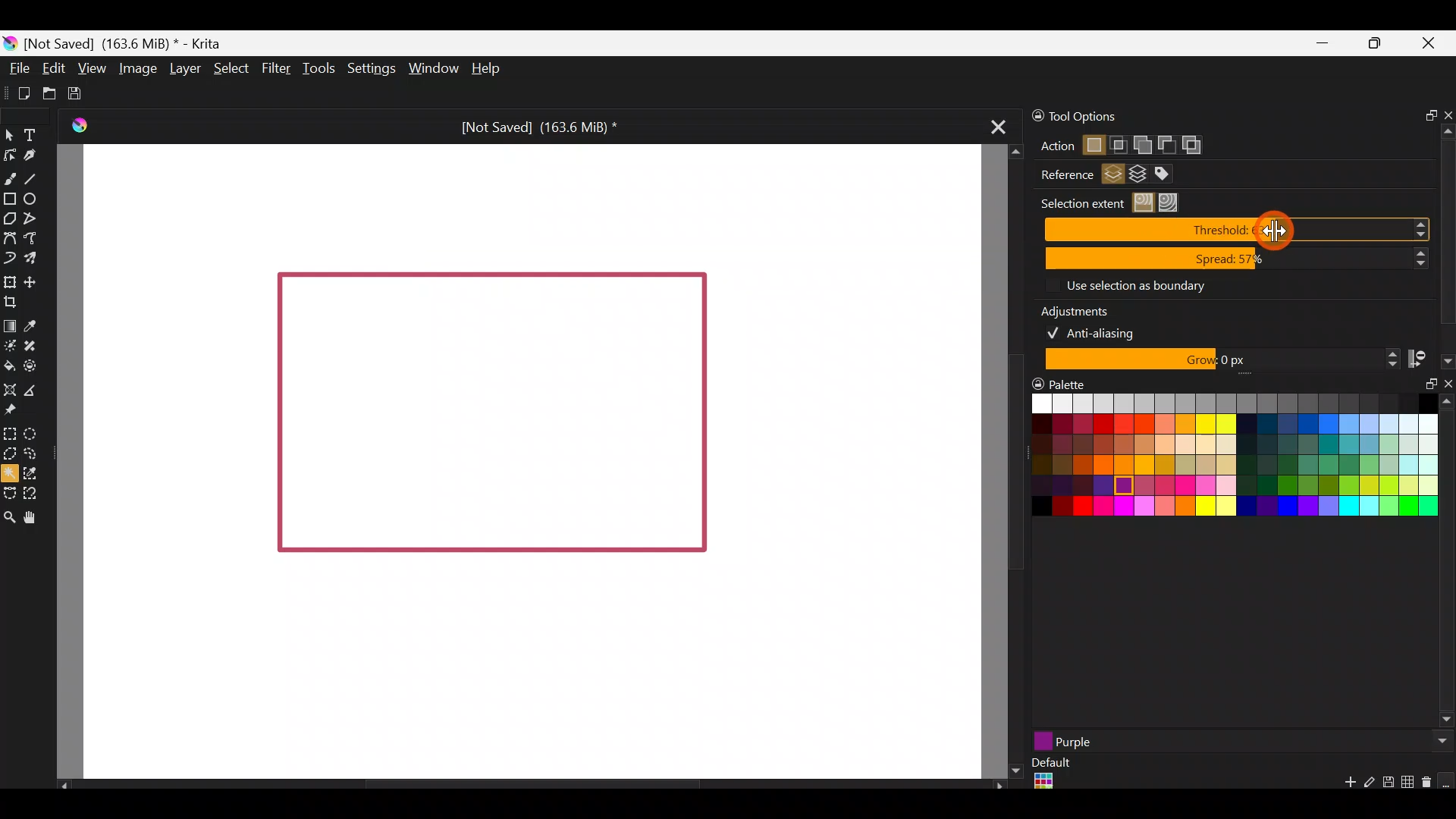  Describe the element at coordinates (1323, 44) in the screenshot. I see `Minimize` at that location.